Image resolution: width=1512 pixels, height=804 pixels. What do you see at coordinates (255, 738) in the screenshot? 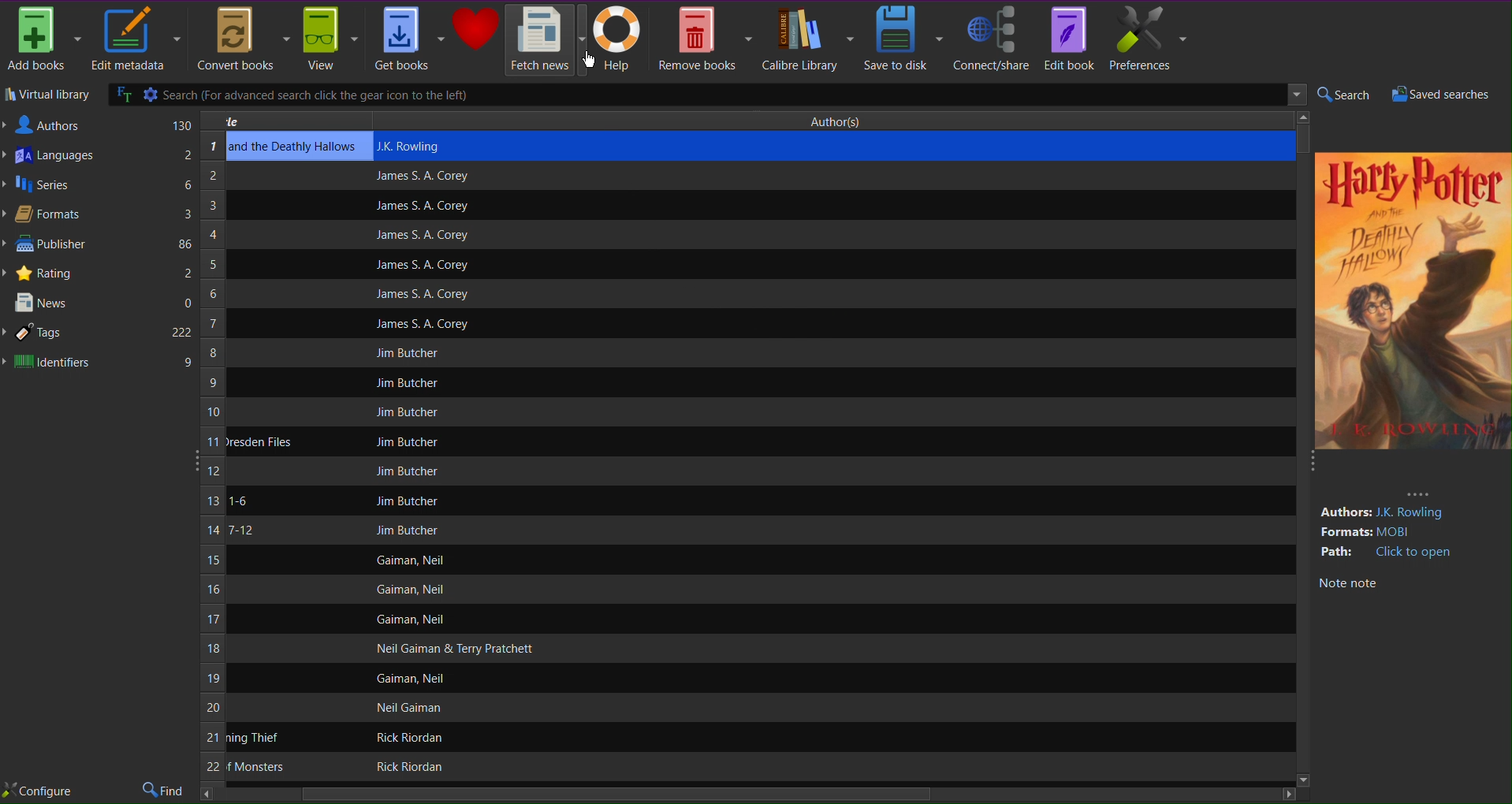
I see `ning thief` at bounding box center [255, 738].